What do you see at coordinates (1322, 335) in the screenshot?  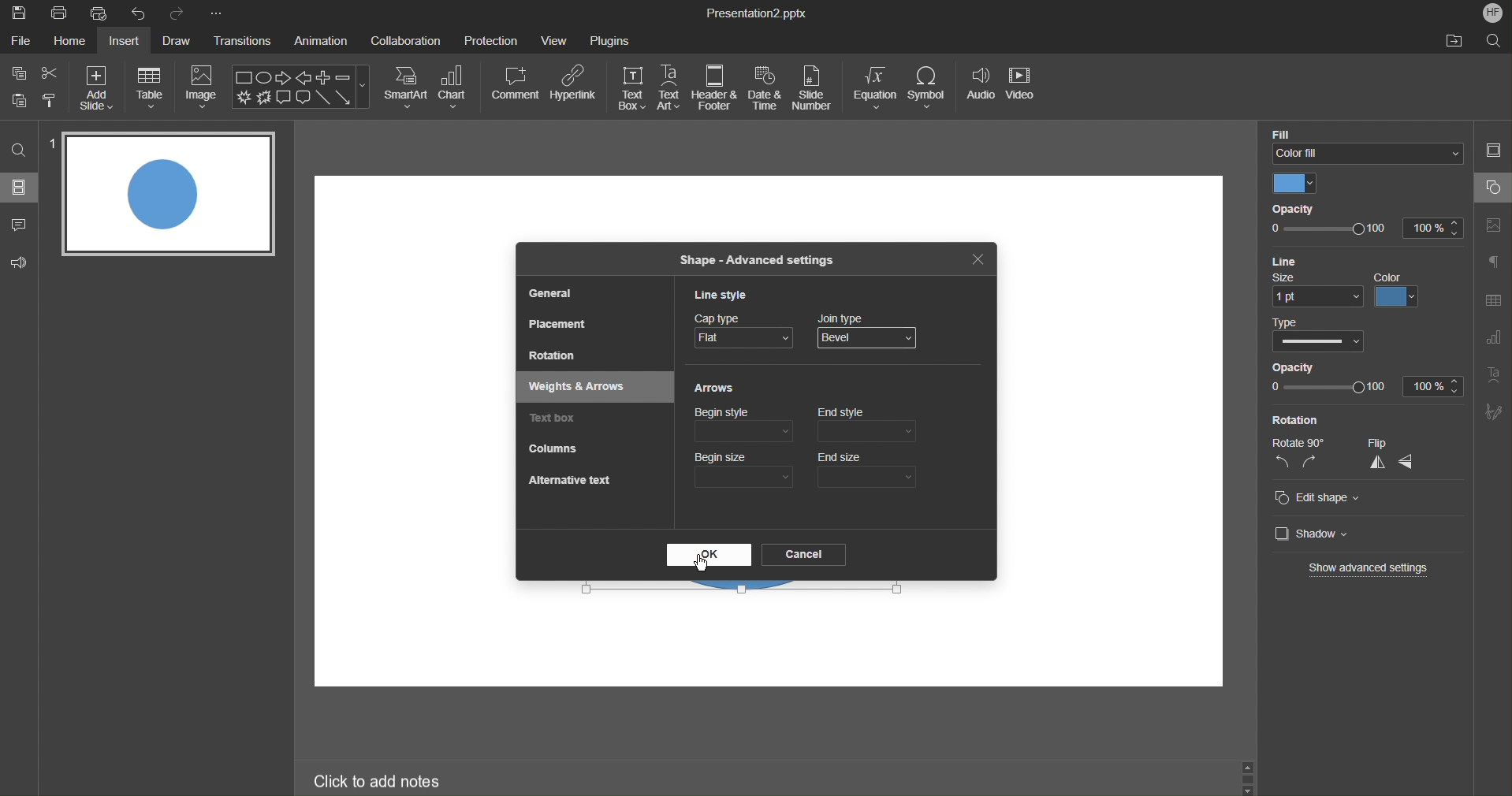 I see `Type` at bounding box center [1322, 335].